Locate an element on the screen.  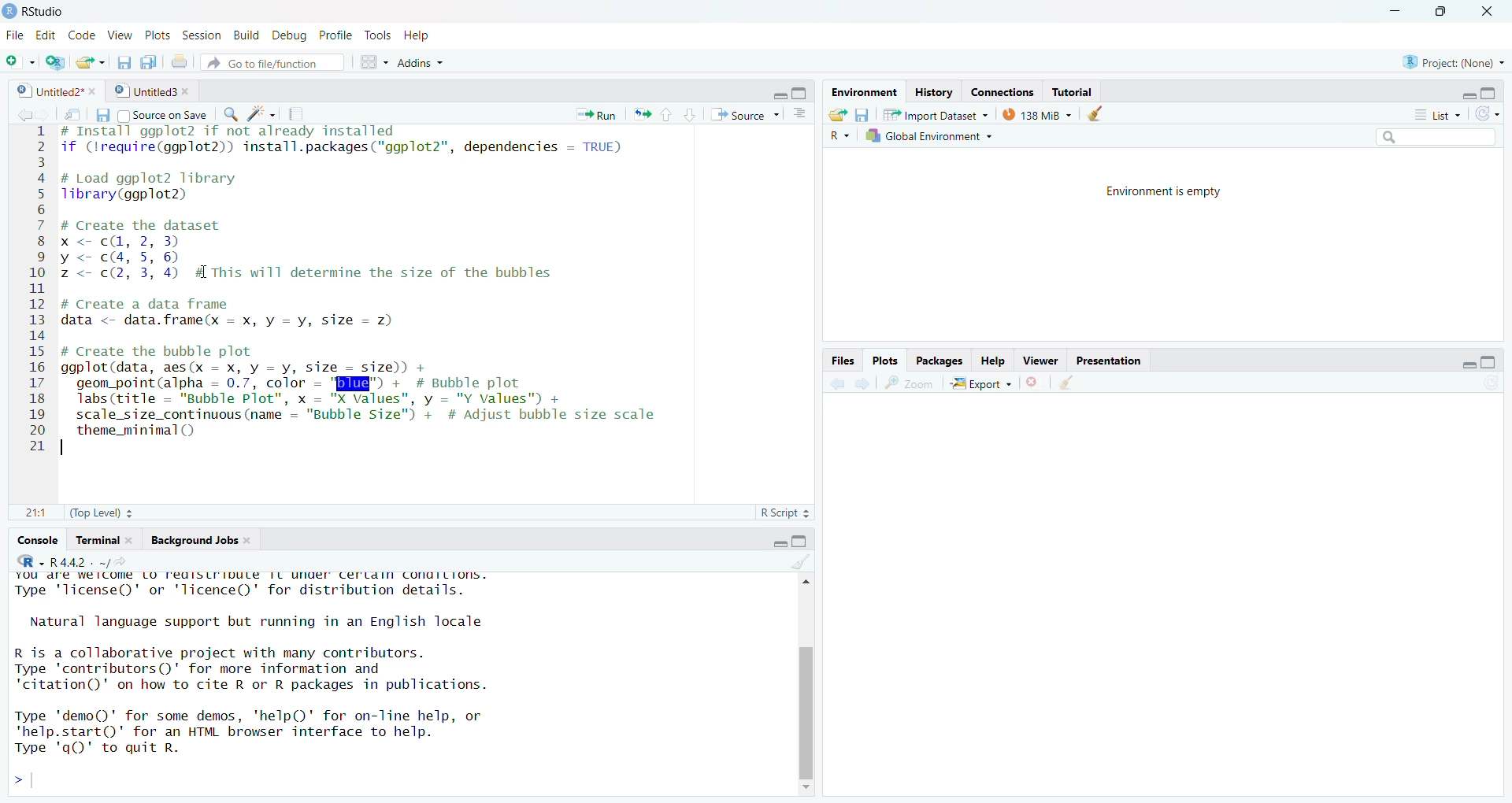
clear objects is located at coordinates (1099, 113).